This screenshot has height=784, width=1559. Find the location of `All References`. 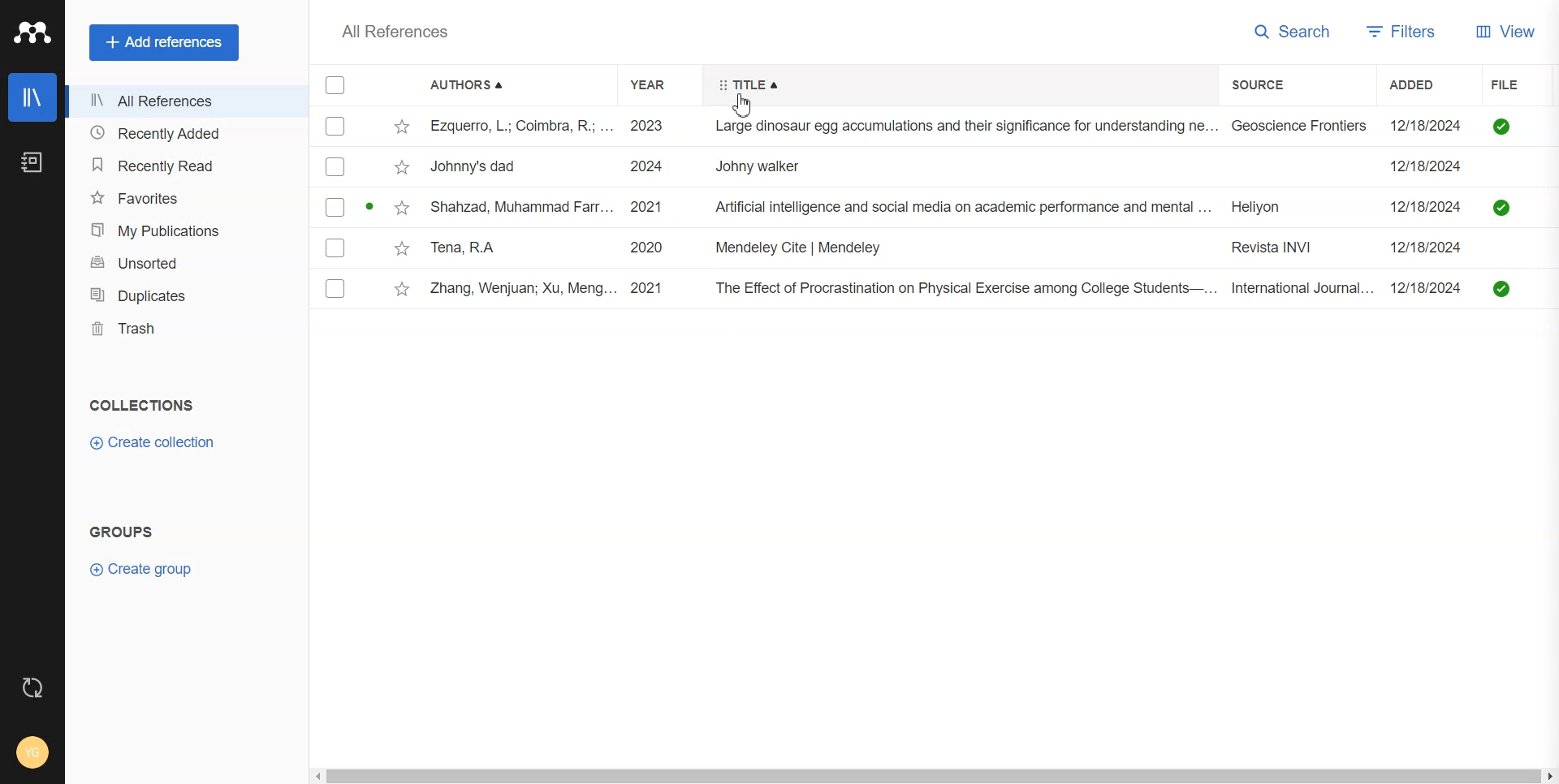

All References is located at coordinates (184, 101).